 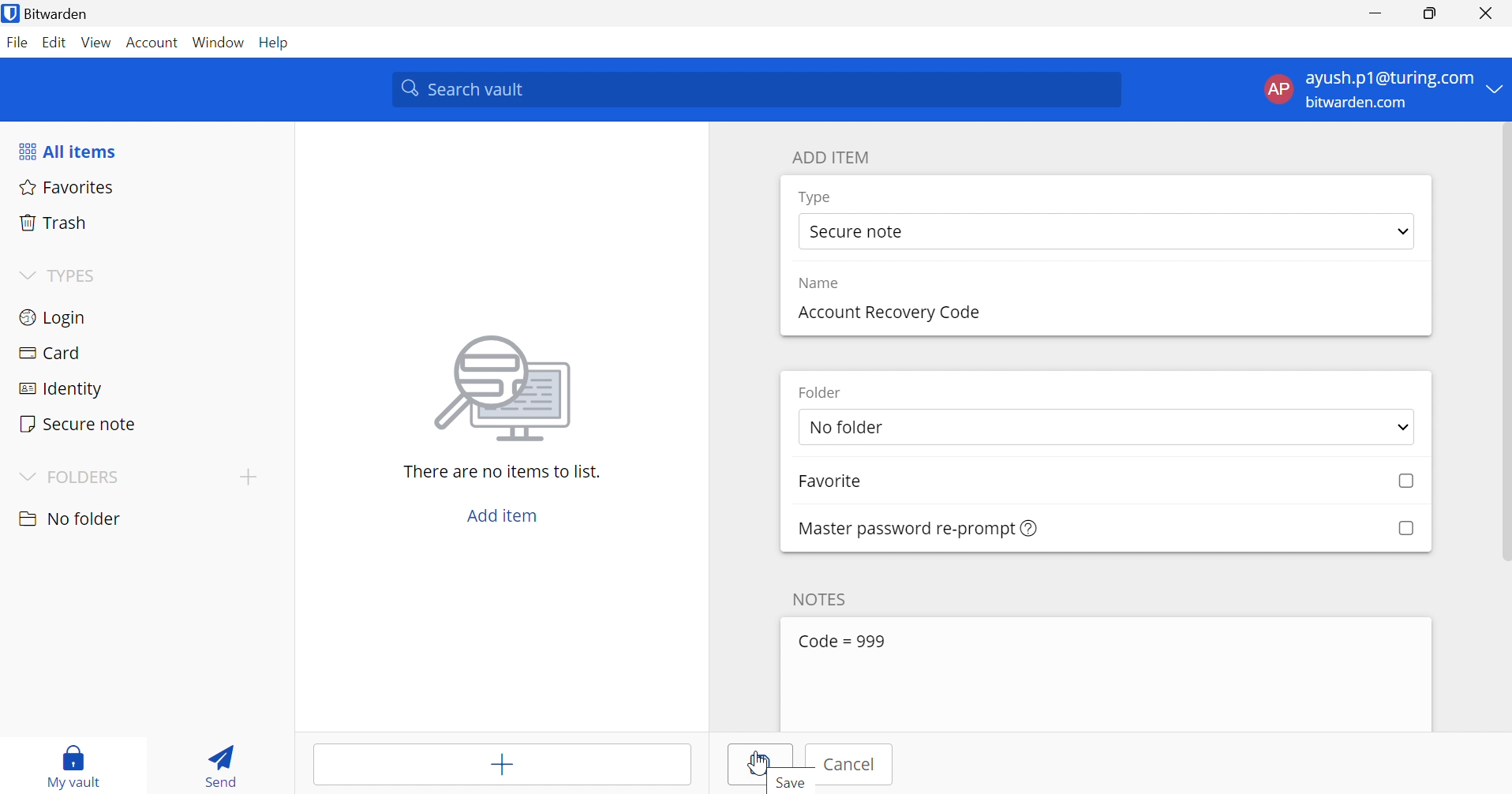 What do you see at coordinates (54, 223) in the screenshot?
I see `Trash` at bounding box center [54, 223].